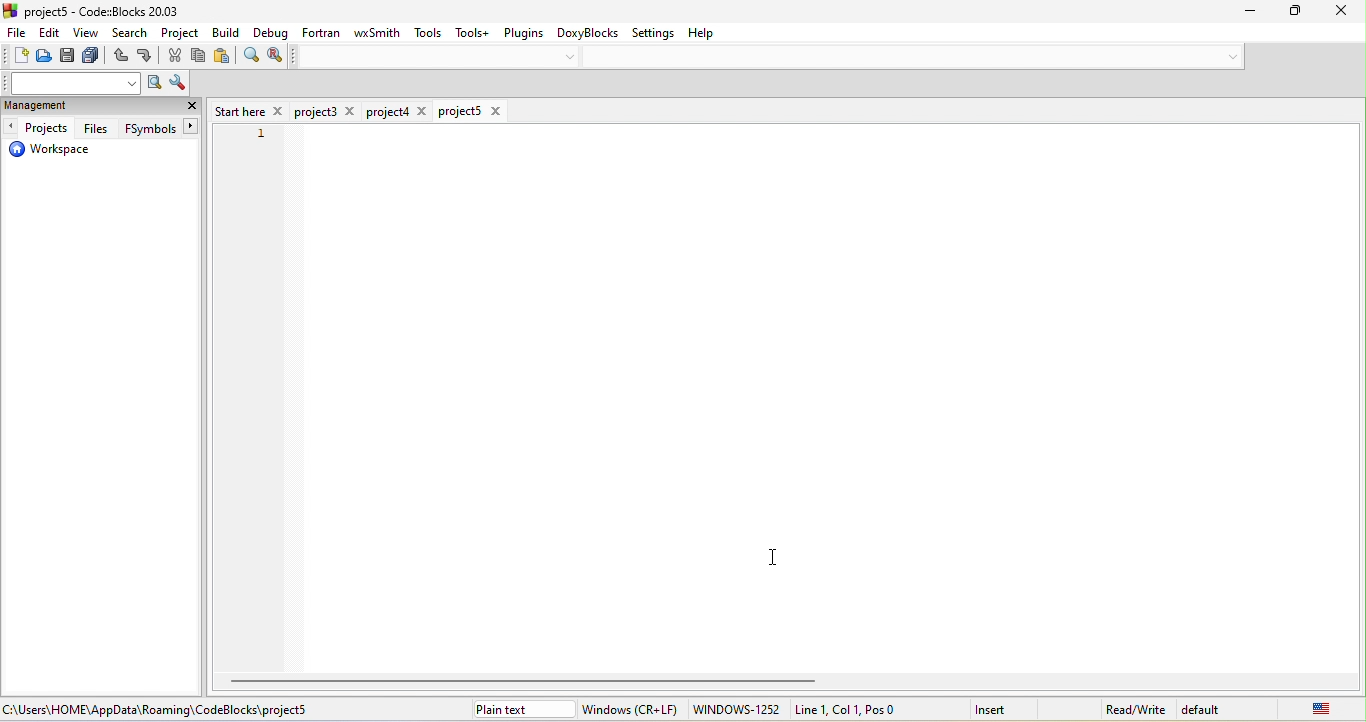 The width and height of the screenshot is (1366, 722). What do you see at coordinates (94, 58) in the screenshot?
I see `save everything` at bounding box center [94, 58].